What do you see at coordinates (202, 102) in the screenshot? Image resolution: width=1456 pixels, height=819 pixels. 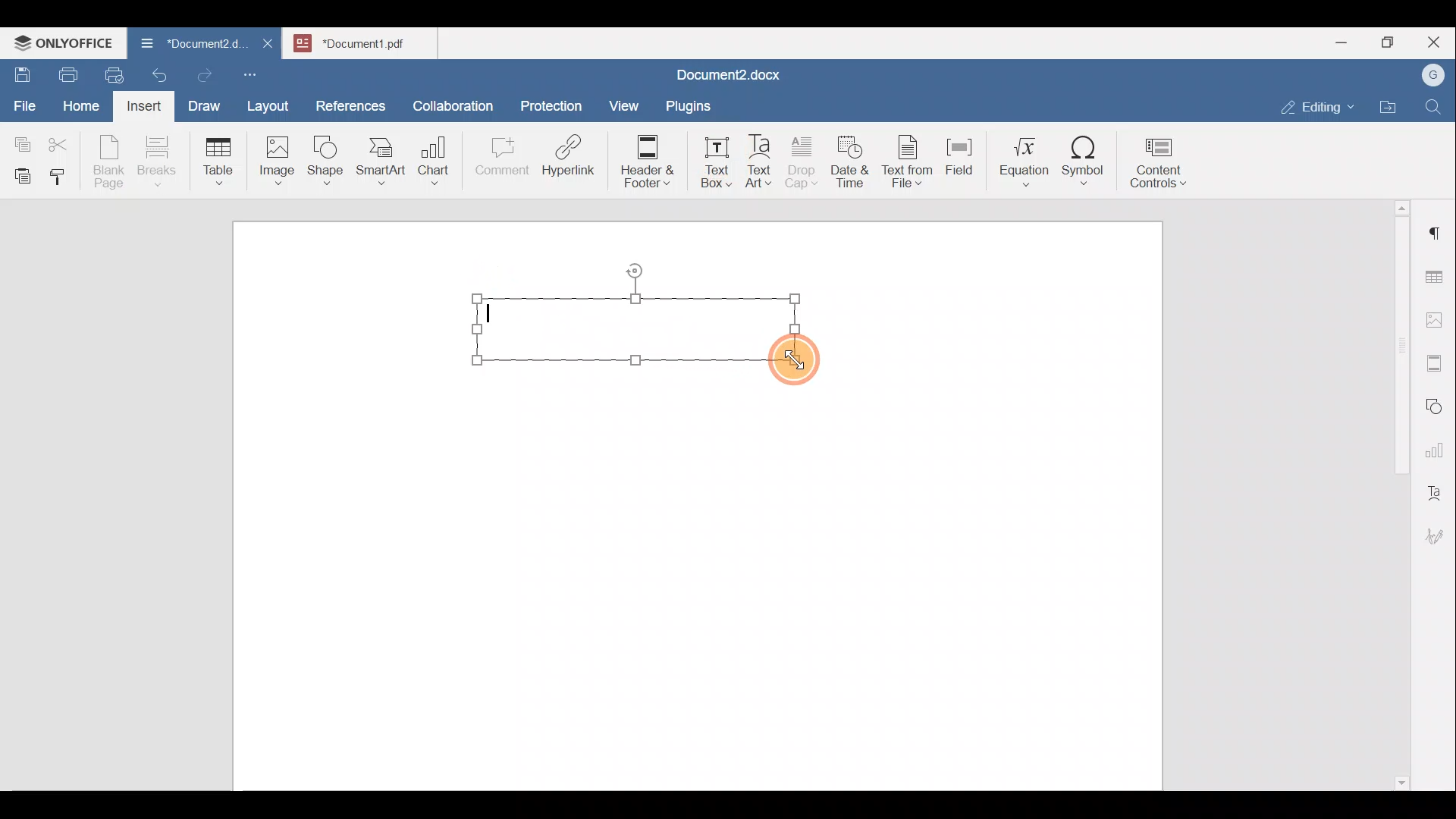 I see `Draw` at bounding box center [202, 102].